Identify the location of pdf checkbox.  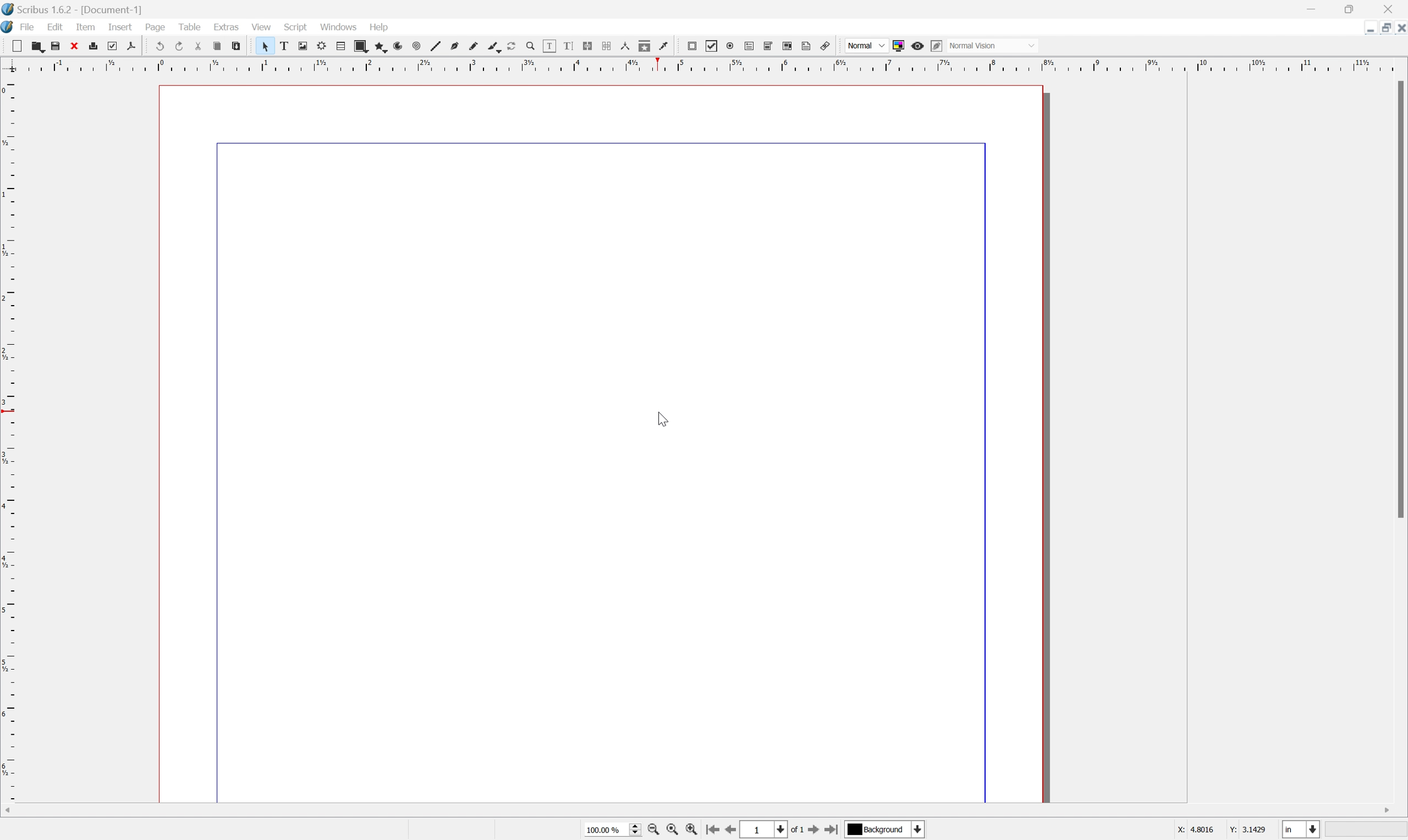
(713, 46).